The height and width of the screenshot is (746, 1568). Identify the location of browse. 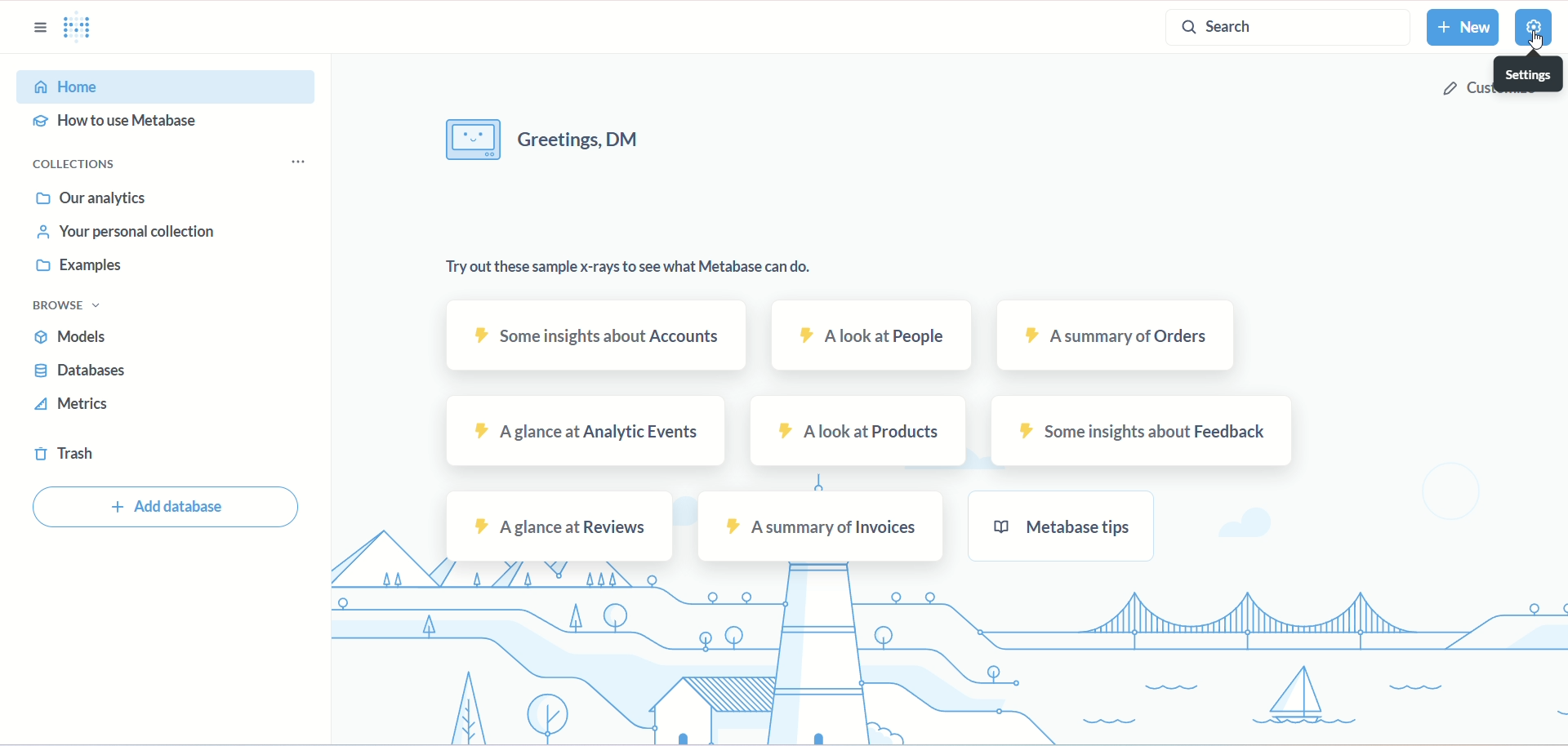
(68, 306).